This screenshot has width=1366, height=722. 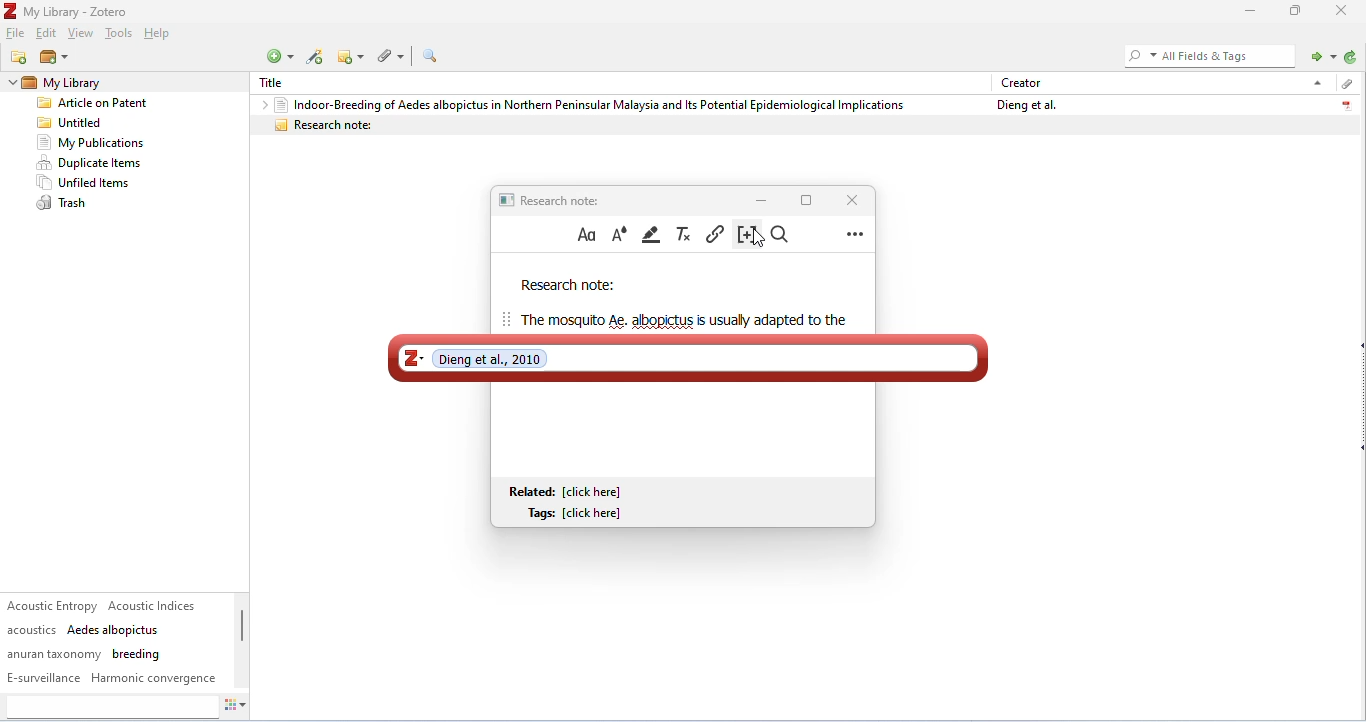 What do you see at coordinates (87, 183) in the screenshot?
I see `unfiled items` at bounding box center [87, 183].